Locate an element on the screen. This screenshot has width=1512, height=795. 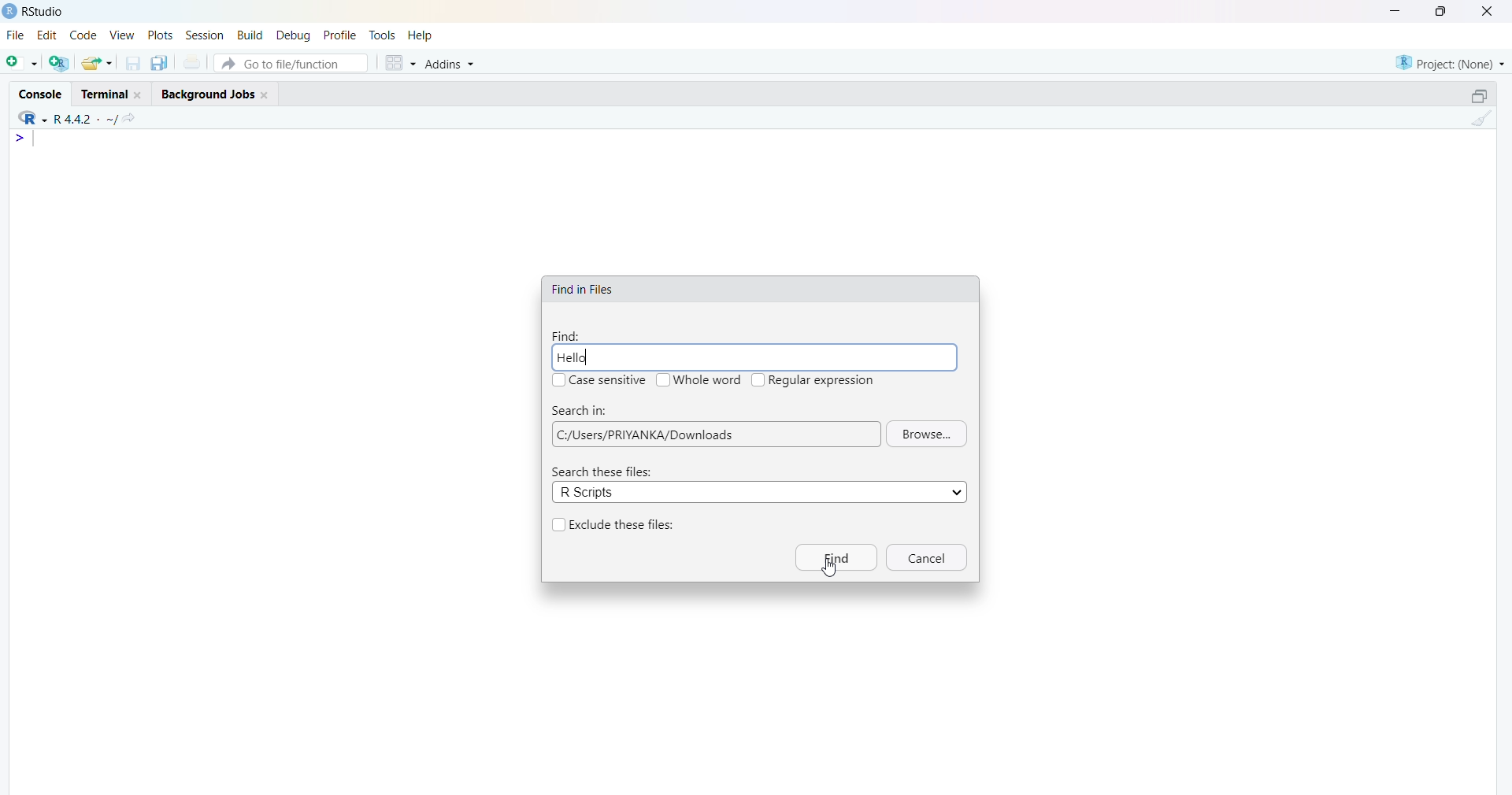
Exclude these files: is located at coordinates (623, 526).